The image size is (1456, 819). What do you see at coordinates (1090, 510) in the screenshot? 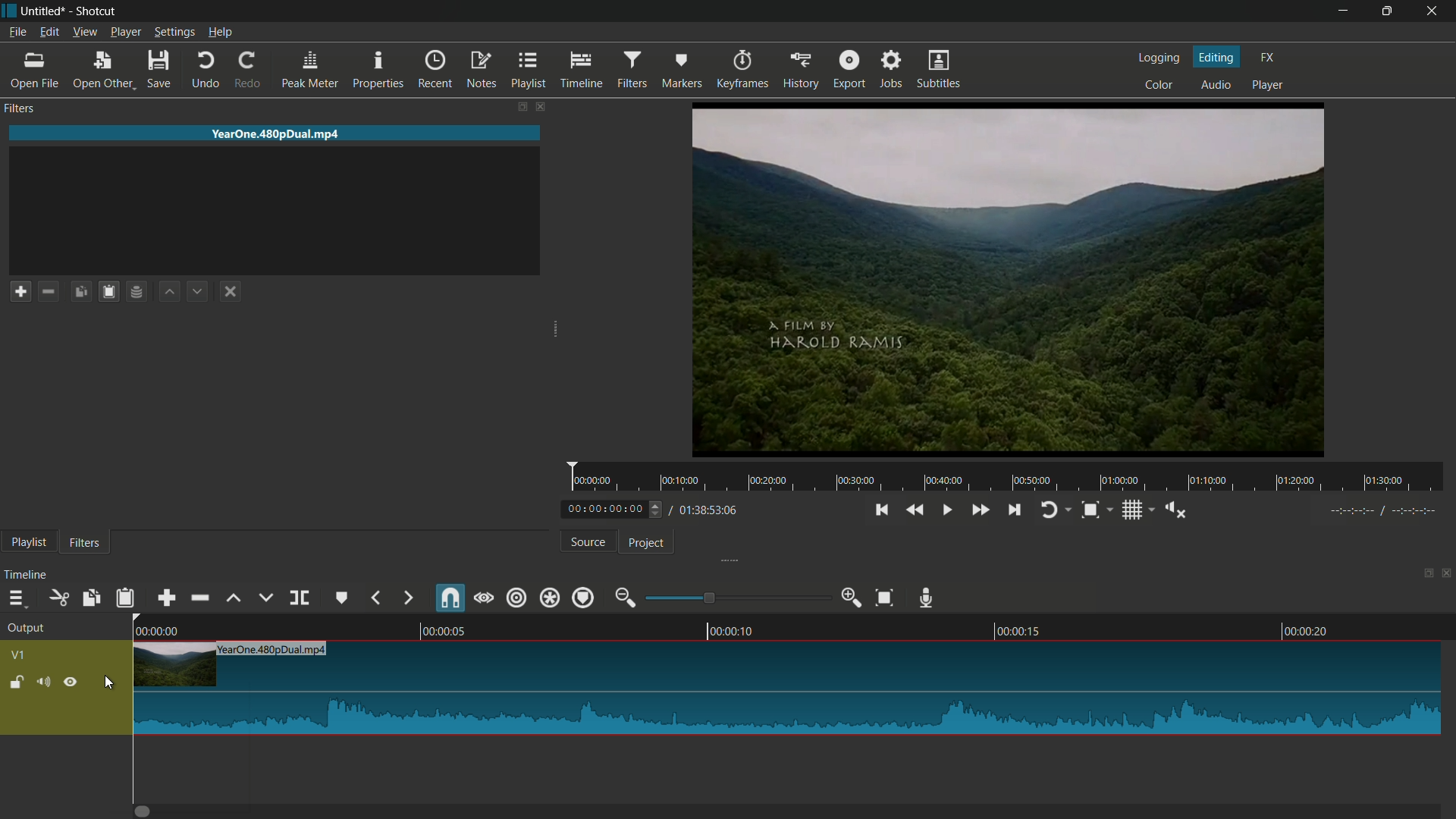
I see `toggle snap` at bounding box center [1090, 510].